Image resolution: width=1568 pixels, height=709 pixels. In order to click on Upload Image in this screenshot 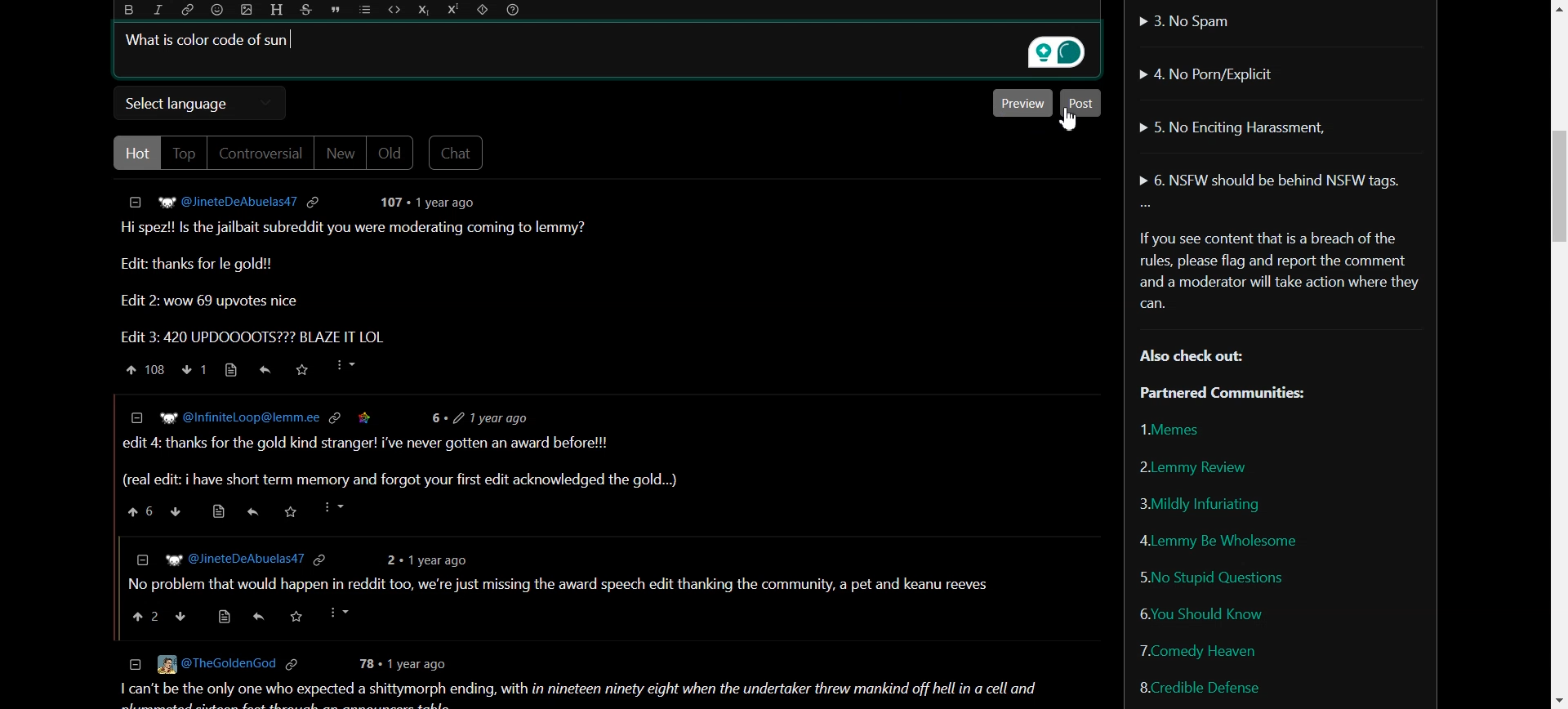, I will do `click(246, 10)`.